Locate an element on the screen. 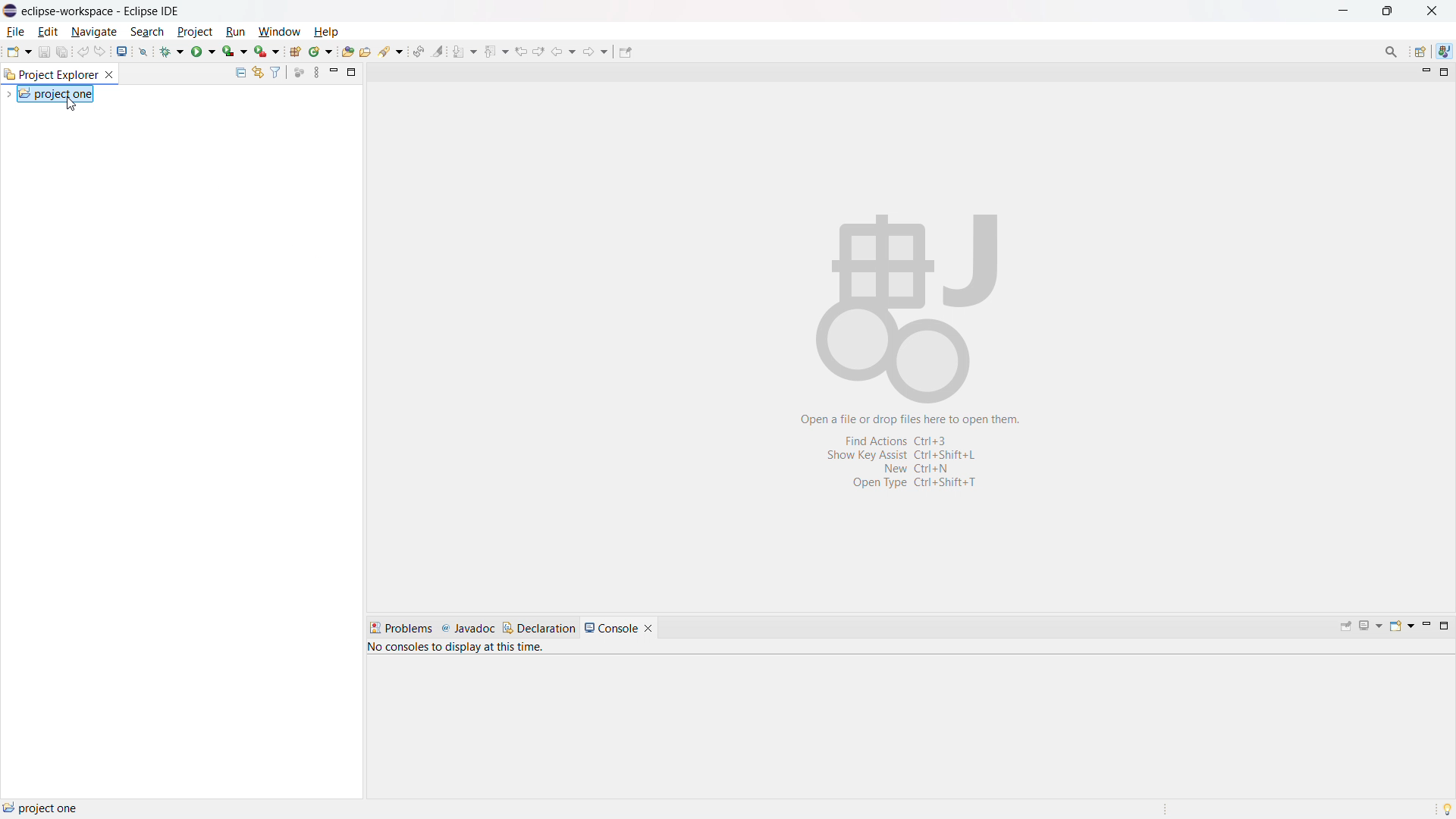  select and deselect filters is located at coordinates (275, 73).